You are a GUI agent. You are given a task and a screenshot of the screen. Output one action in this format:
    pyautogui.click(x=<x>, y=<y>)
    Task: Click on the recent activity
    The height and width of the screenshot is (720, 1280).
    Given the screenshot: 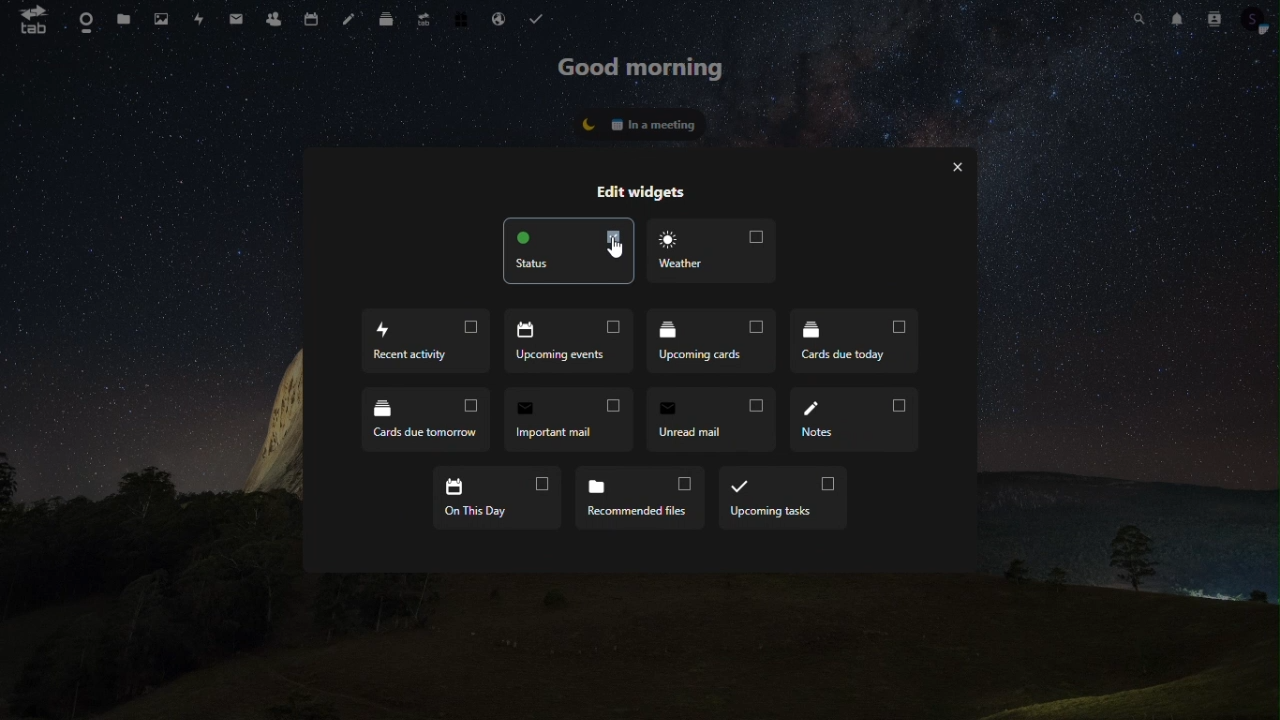 What is the action you would take?
    pyautogui.click(x=428, y=341)
    